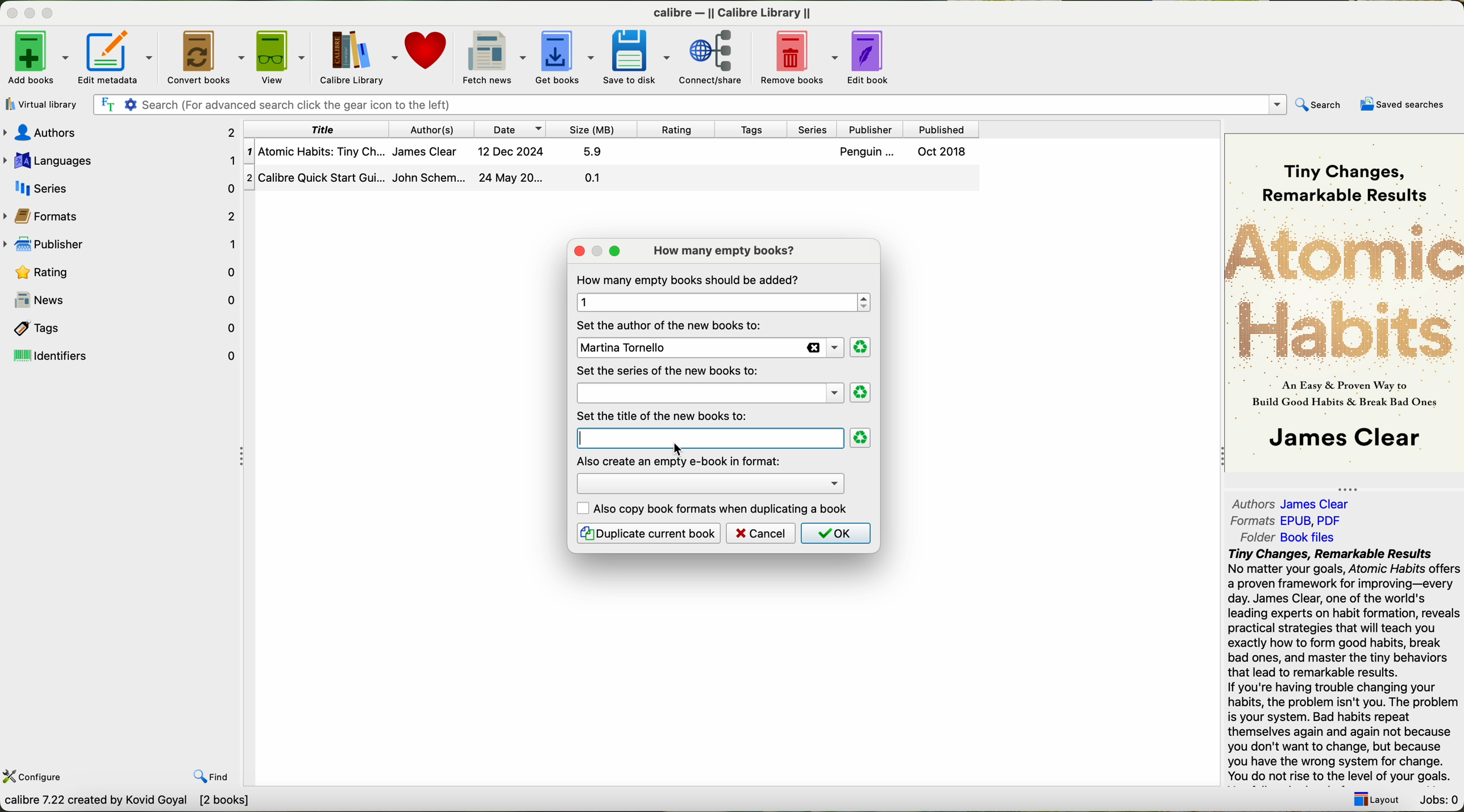 The width and height of the screenshot is (1464, 812). I want to click on edit book, so click(871, 60).